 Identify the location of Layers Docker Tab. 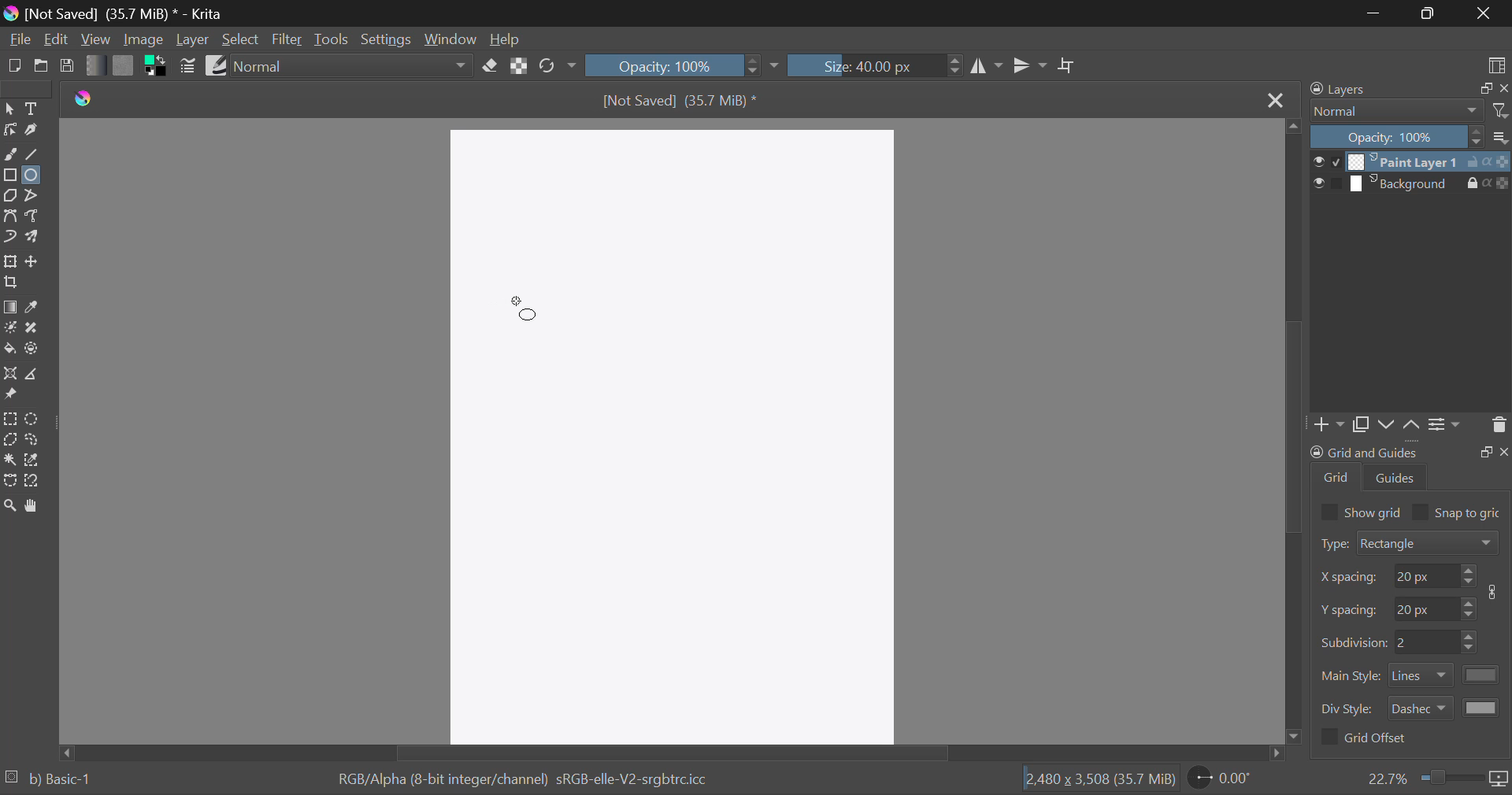
(1405, 91).